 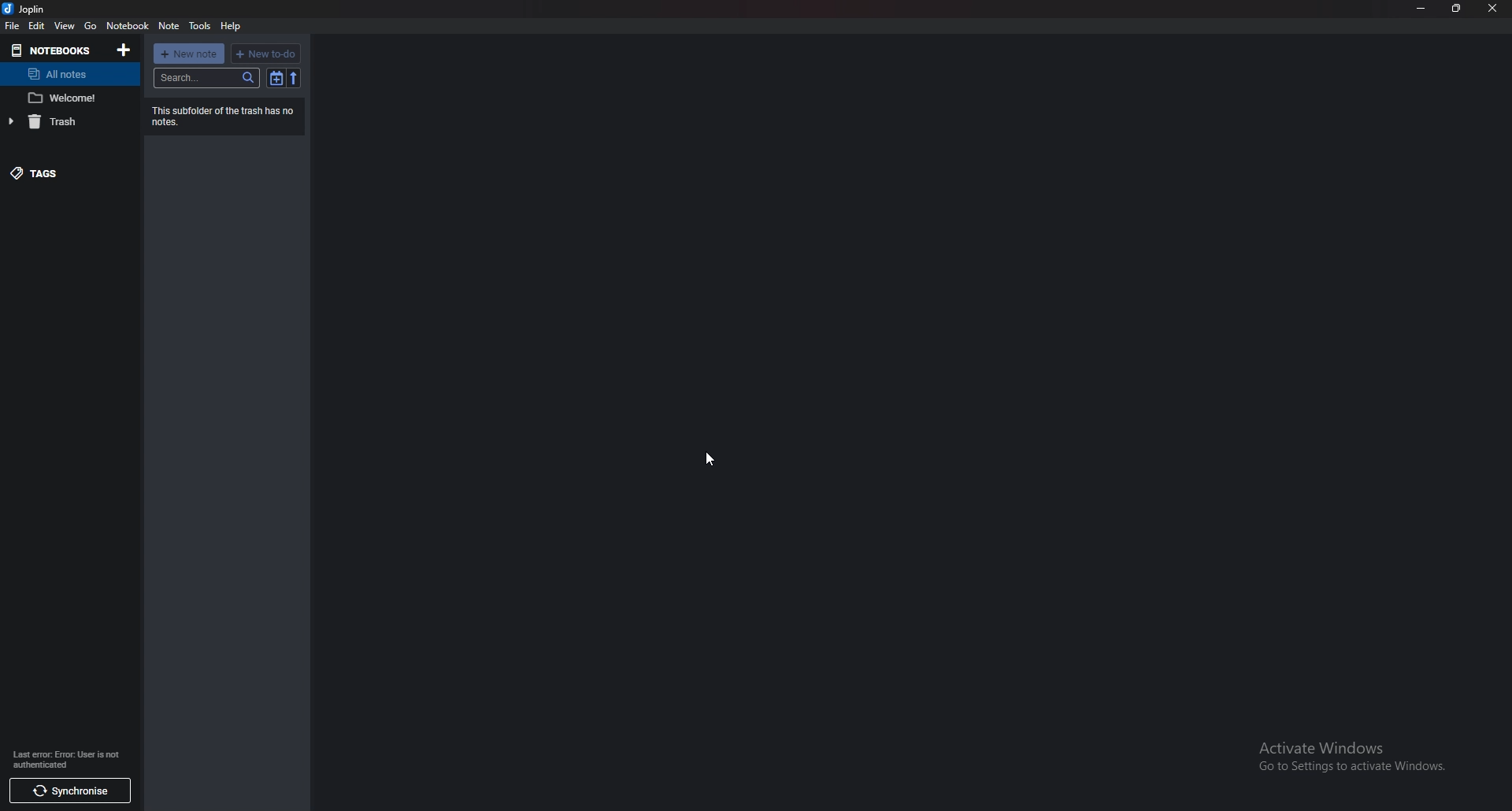 I want to click on Info, so click(x=224, y=116).